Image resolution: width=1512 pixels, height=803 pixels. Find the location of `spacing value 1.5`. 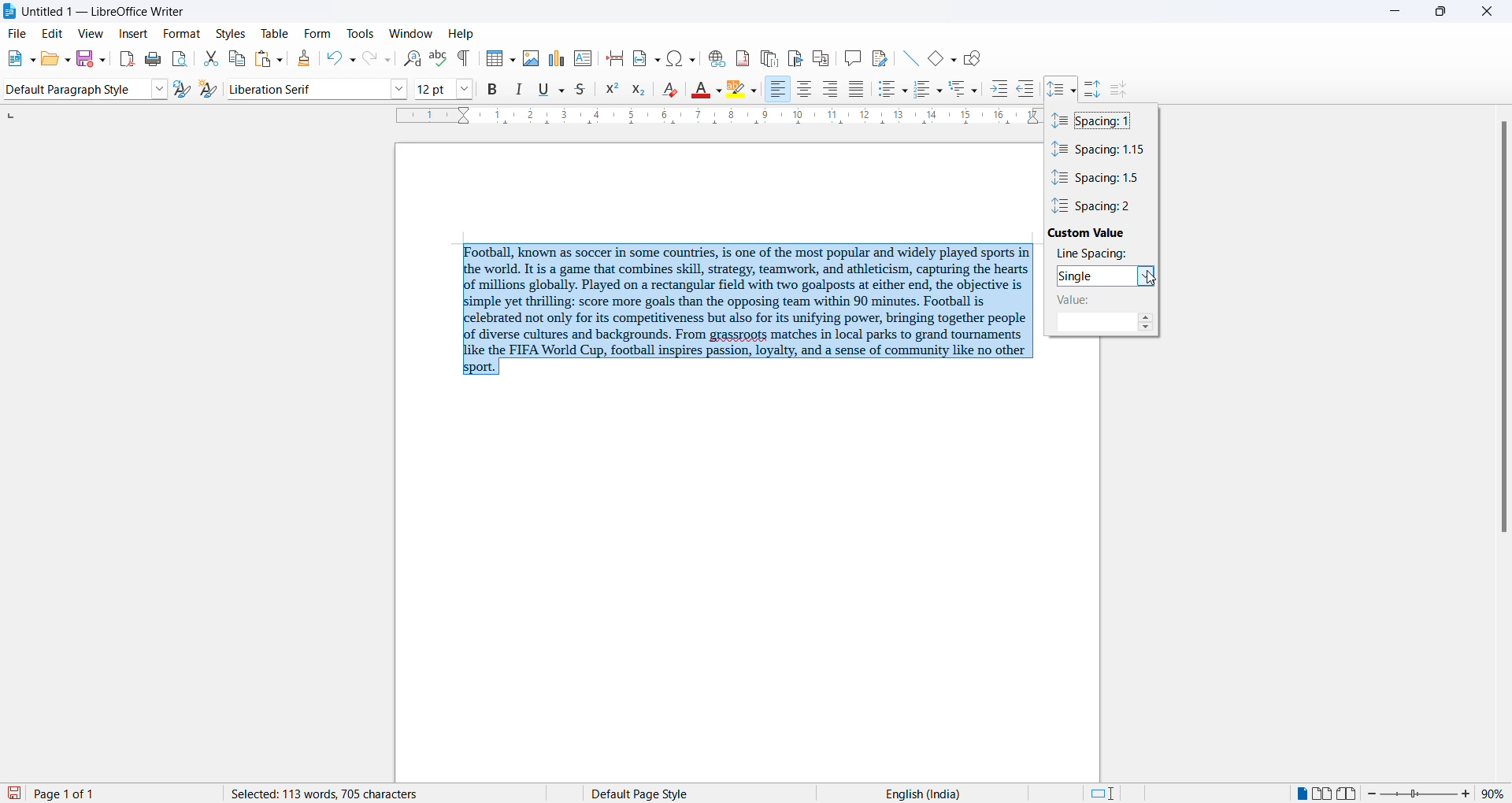

spacing value 1.5 is located at coordinates (1102, 179).